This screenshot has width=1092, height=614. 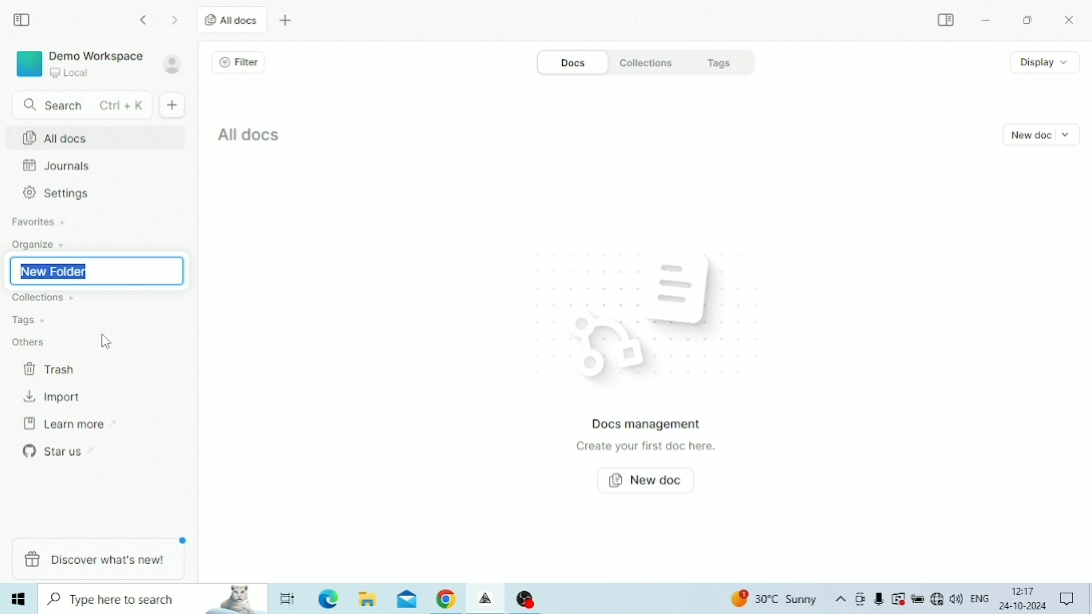 I want to click on Google Chrome, so click(x=446, y=600).